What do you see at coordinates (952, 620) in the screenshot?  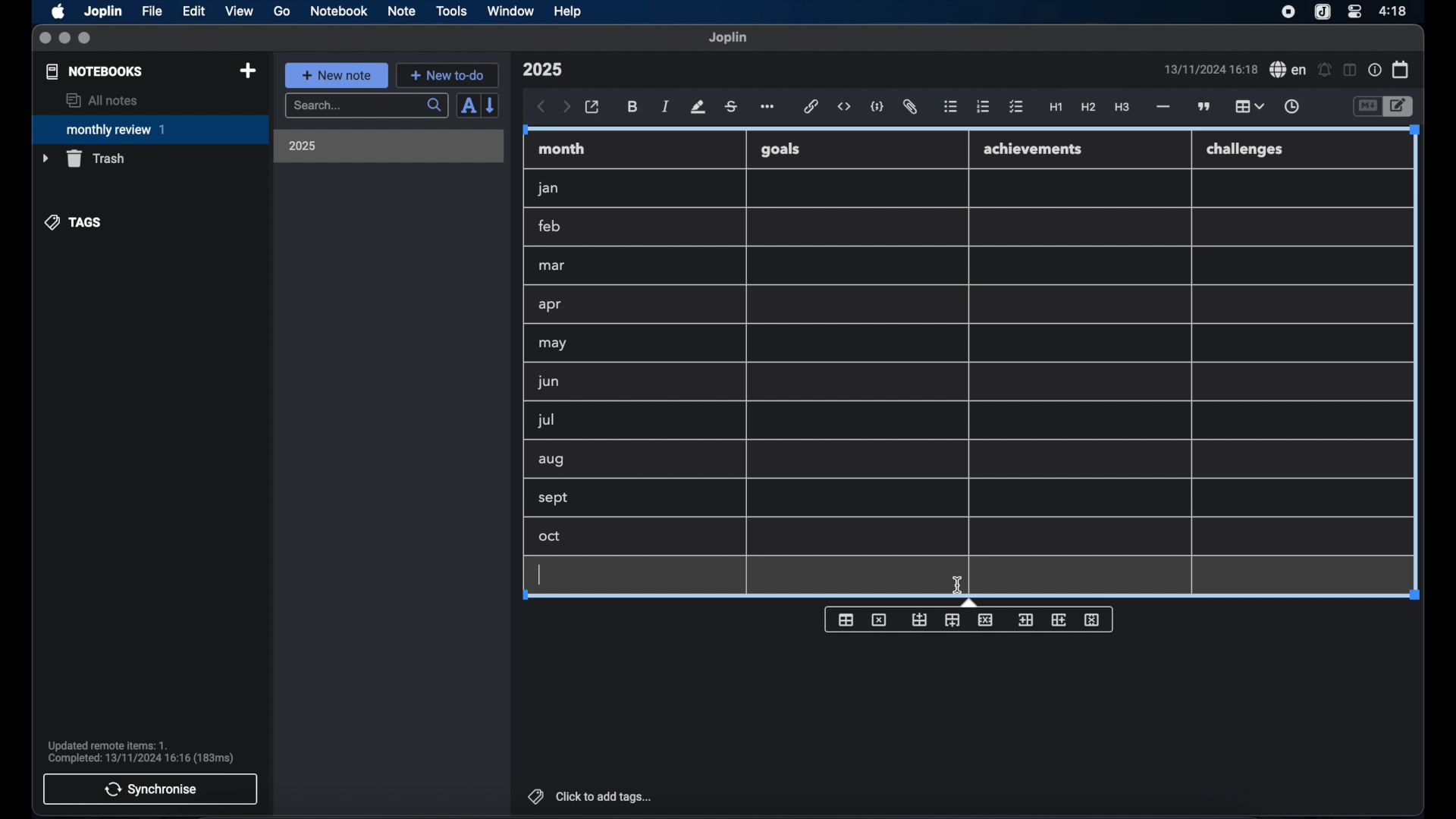 I see `insert column after` at bounding box center [952, 620].